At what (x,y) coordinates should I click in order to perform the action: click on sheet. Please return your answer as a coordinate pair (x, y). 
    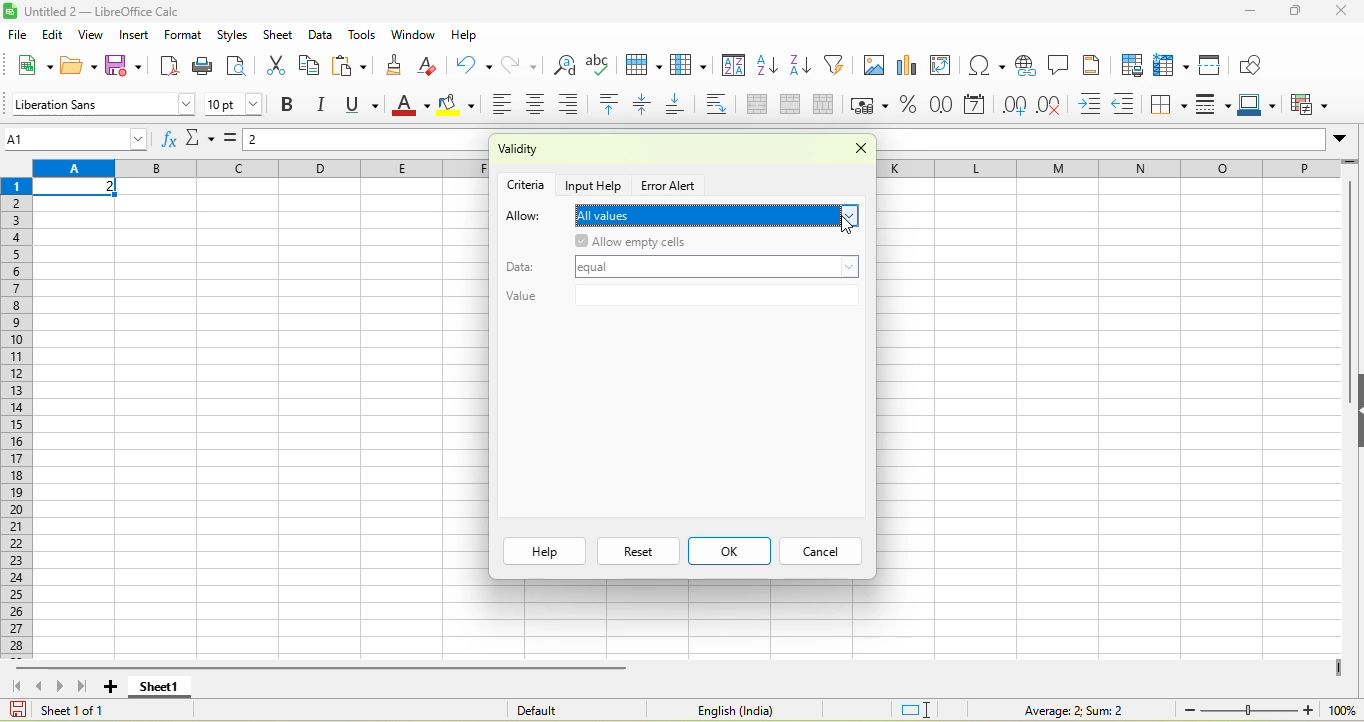
    Looking at the image, I should click on (278, 35).